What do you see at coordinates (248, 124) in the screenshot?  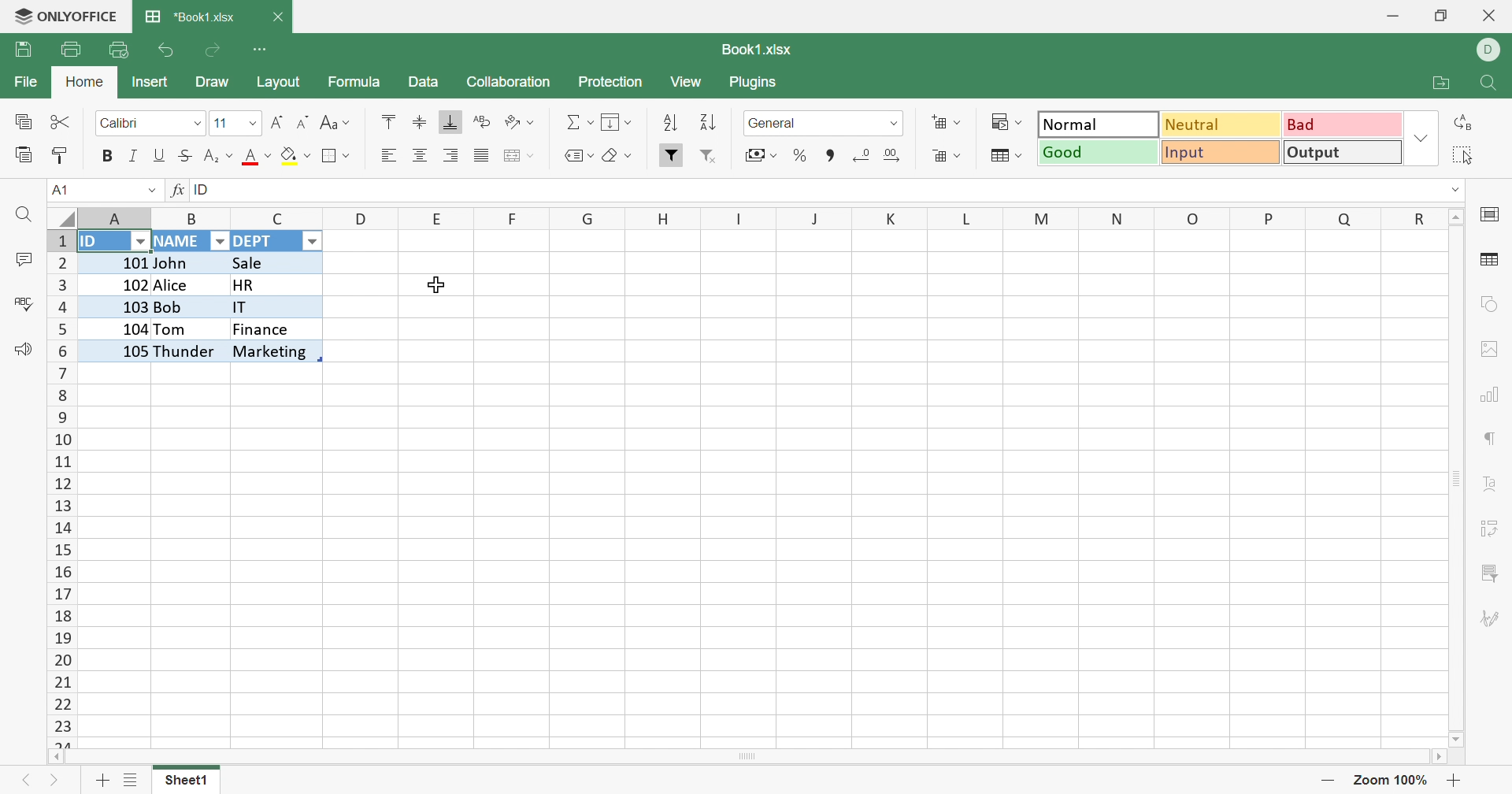 I see `Drop Down` at bounding box center [248, 124].